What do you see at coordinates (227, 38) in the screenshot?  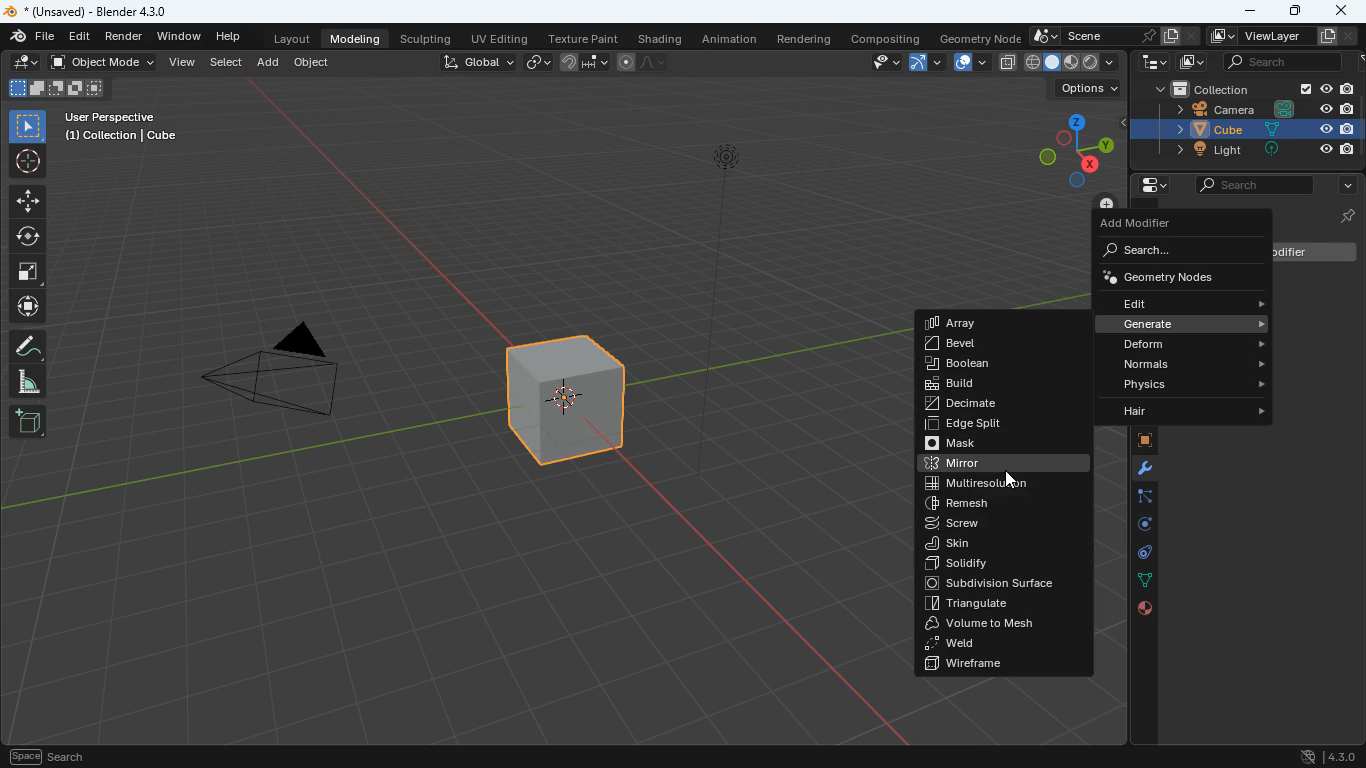 I see `help` at bounding box center [227, 38].